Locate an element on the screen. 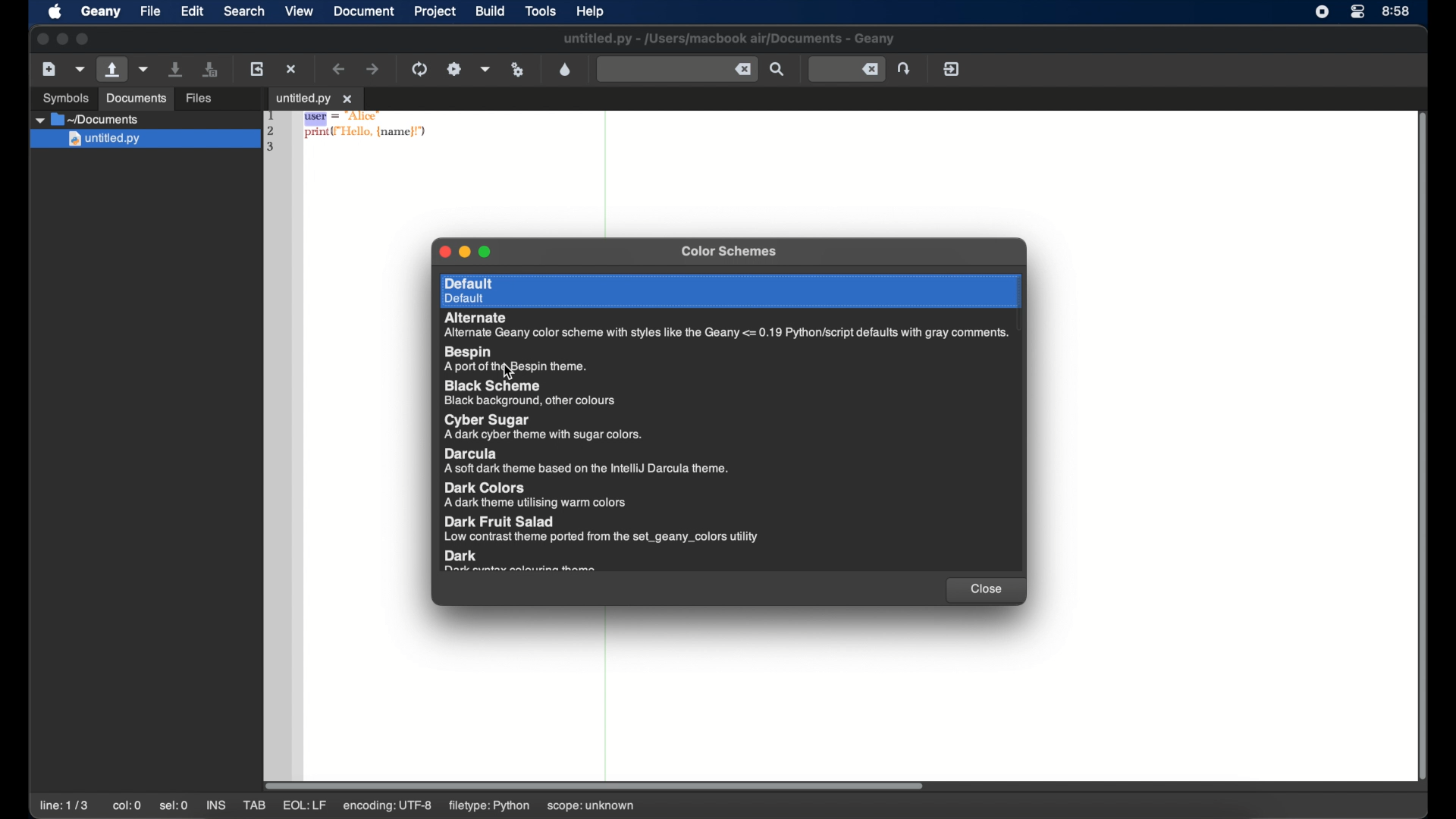 The width and height of the screenshot is (1456, 819). minimize is located at coordinates (464, 252).